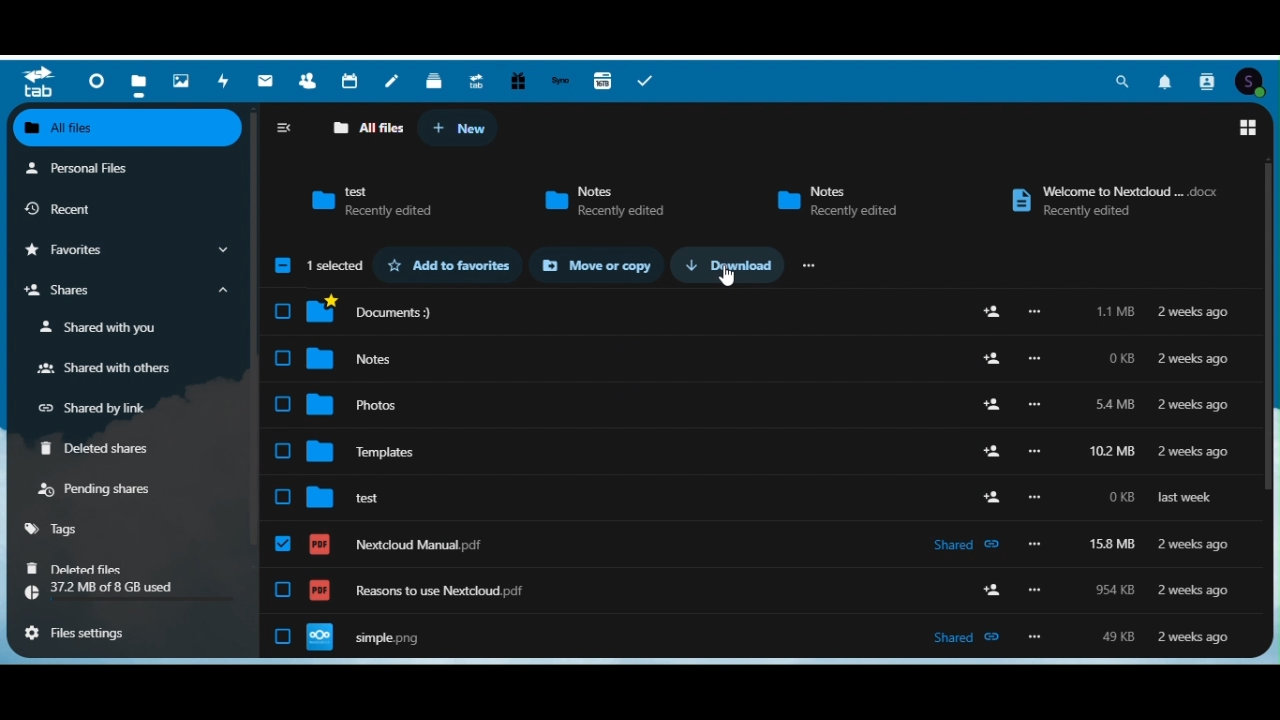 This screenshot has height=720, width=1280. I want to click on Tasks, so click(647, 82).